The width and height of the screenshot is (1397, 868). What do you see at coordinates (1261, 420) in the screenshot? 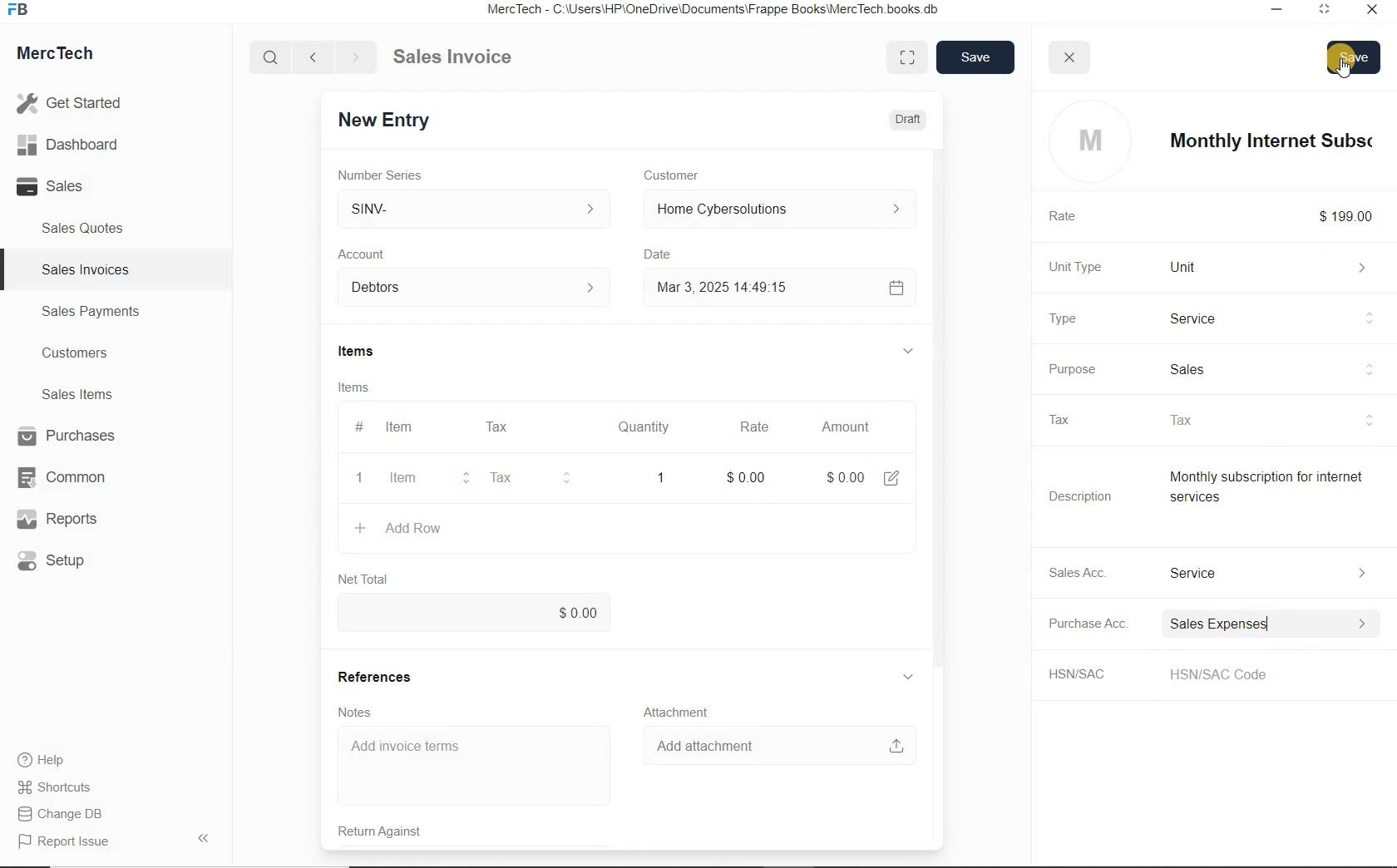
I see `tax` at bounding box center [1261, 420].